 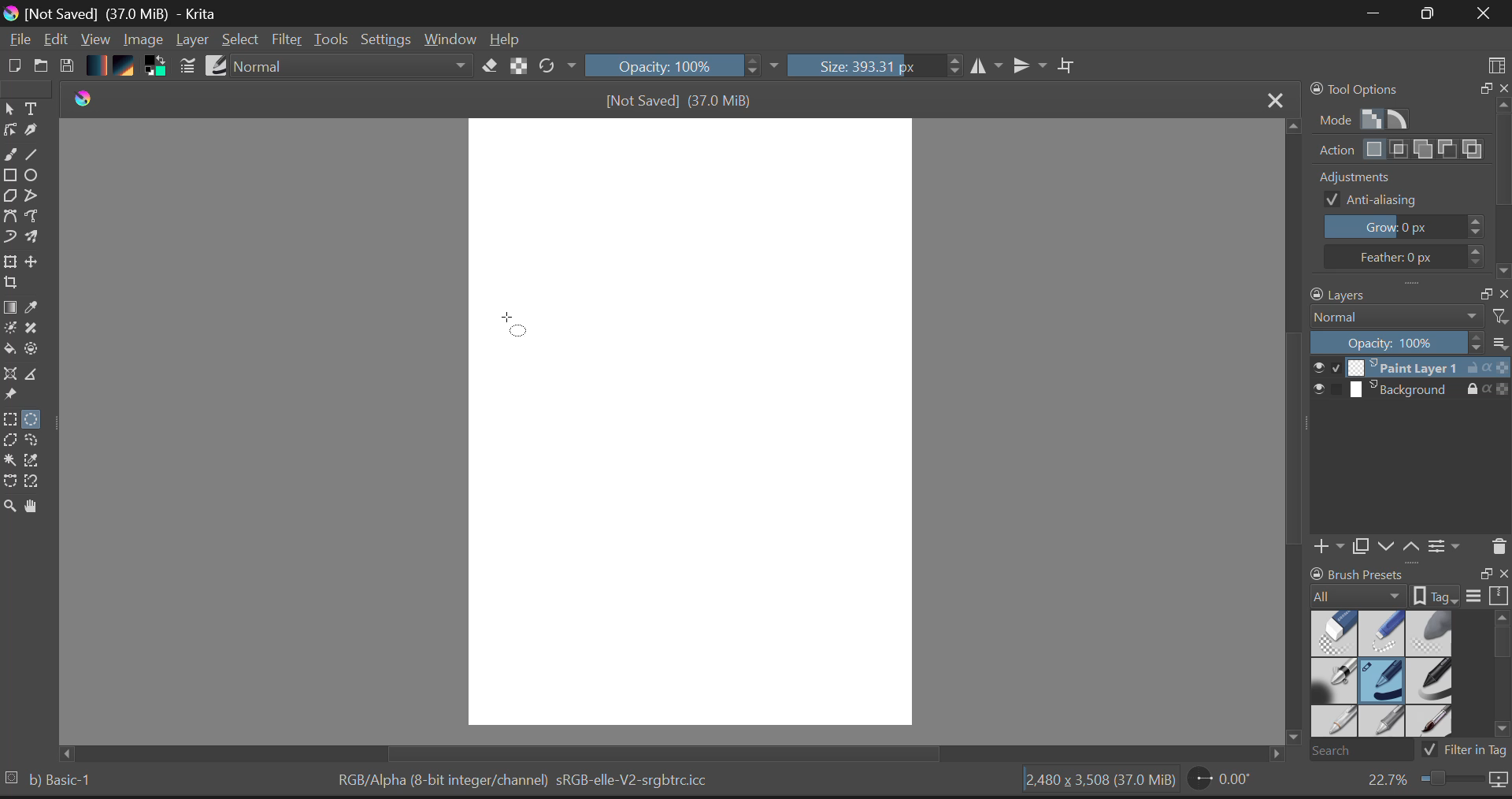 What do you see at coordinates (38, 266) in the screenshot?
I see `Move Layer` at bounding box center [38, 266].